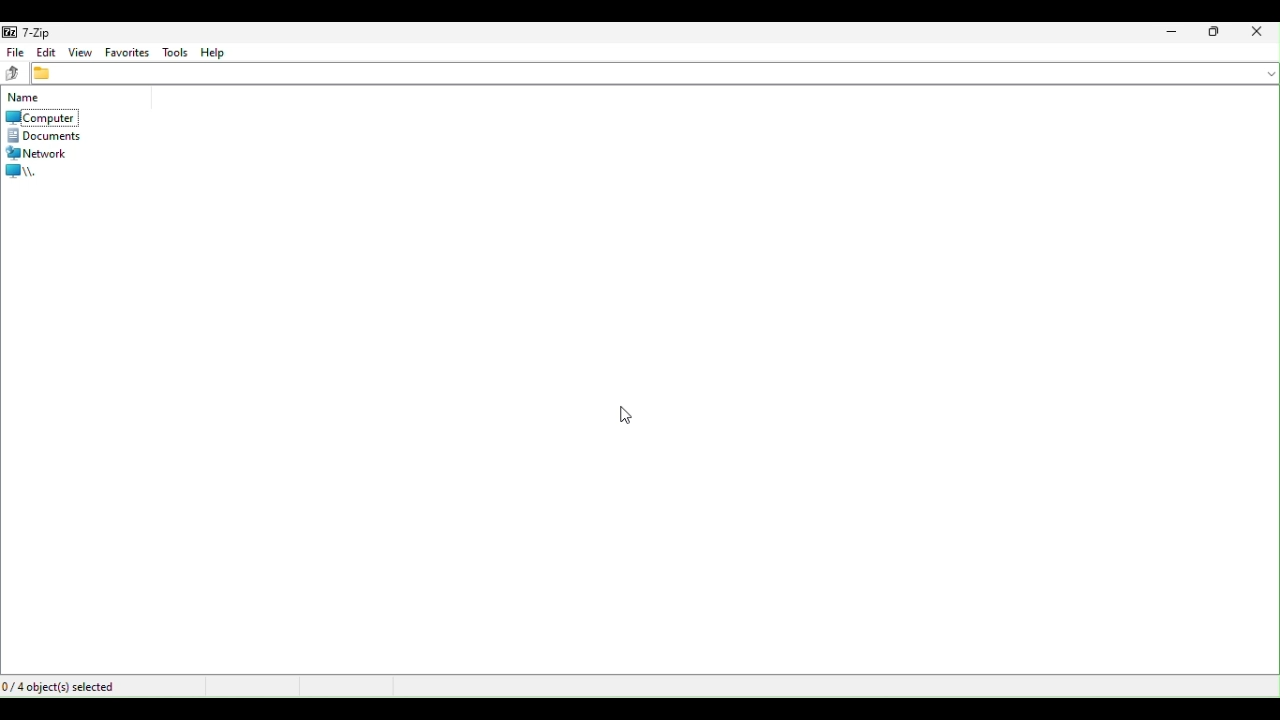  What do you see at coordinates (216, 54) in the screenshot?
I see `Help` at bounding box center [216, 54].